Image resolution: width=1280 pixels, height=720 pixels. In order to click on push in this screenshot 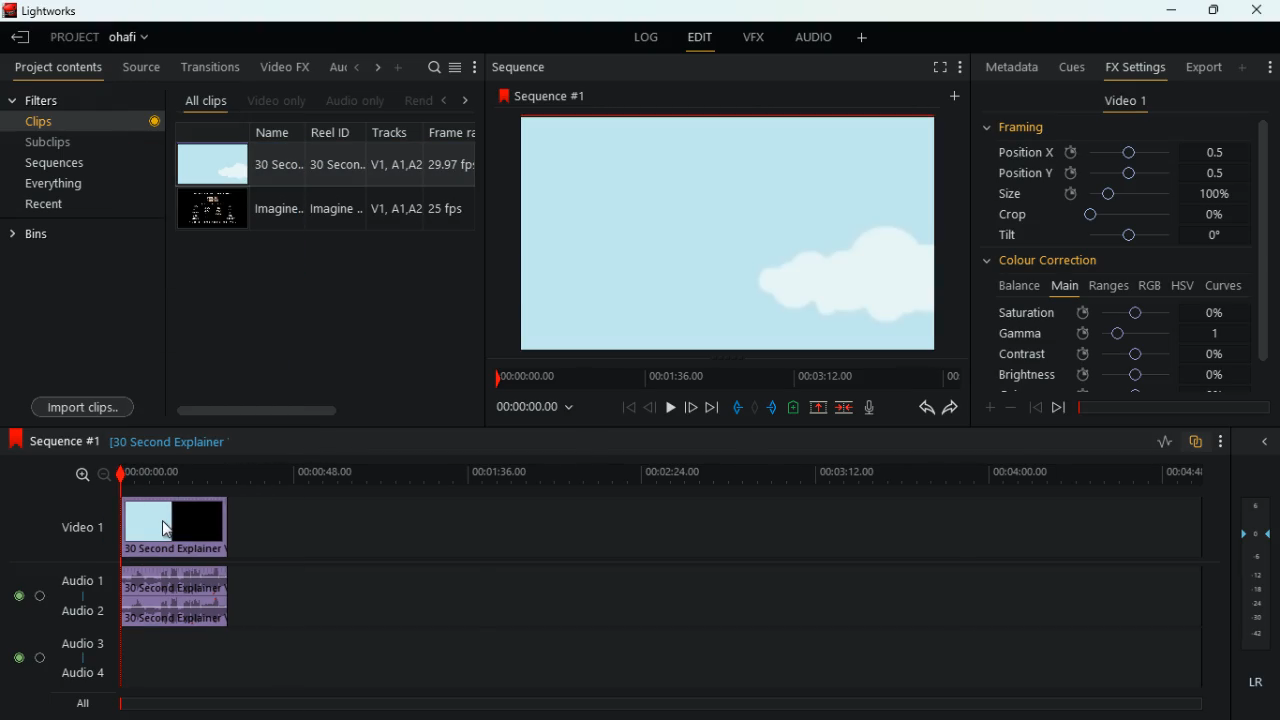, I will do `click(773, 407)`.